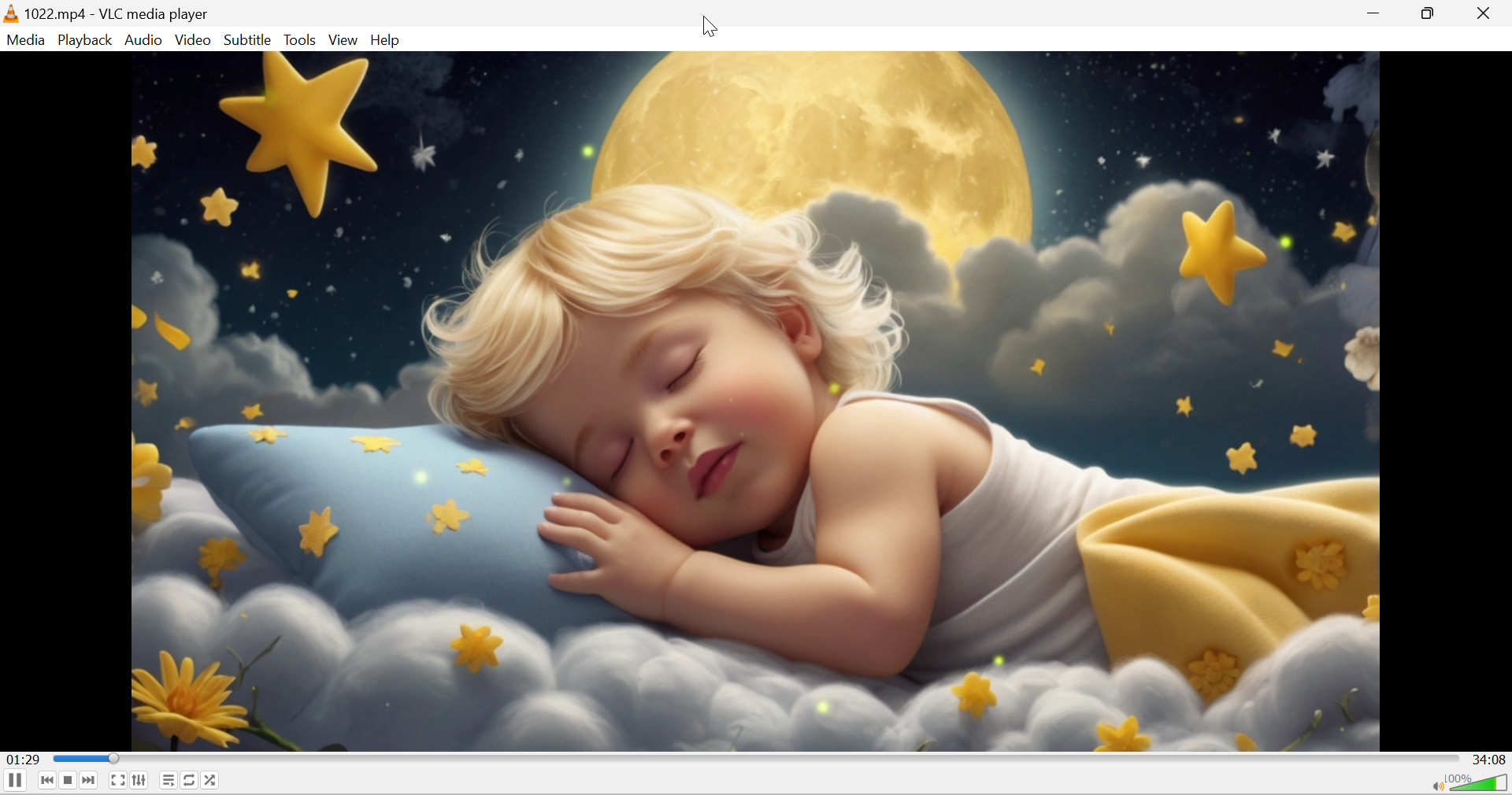 Image resolution: width=1512 pixels, height=795 pixels. What do you see at coordinates (709, 26) in the screenshot?
I see `Cursor` at bounding box center [709, 26].